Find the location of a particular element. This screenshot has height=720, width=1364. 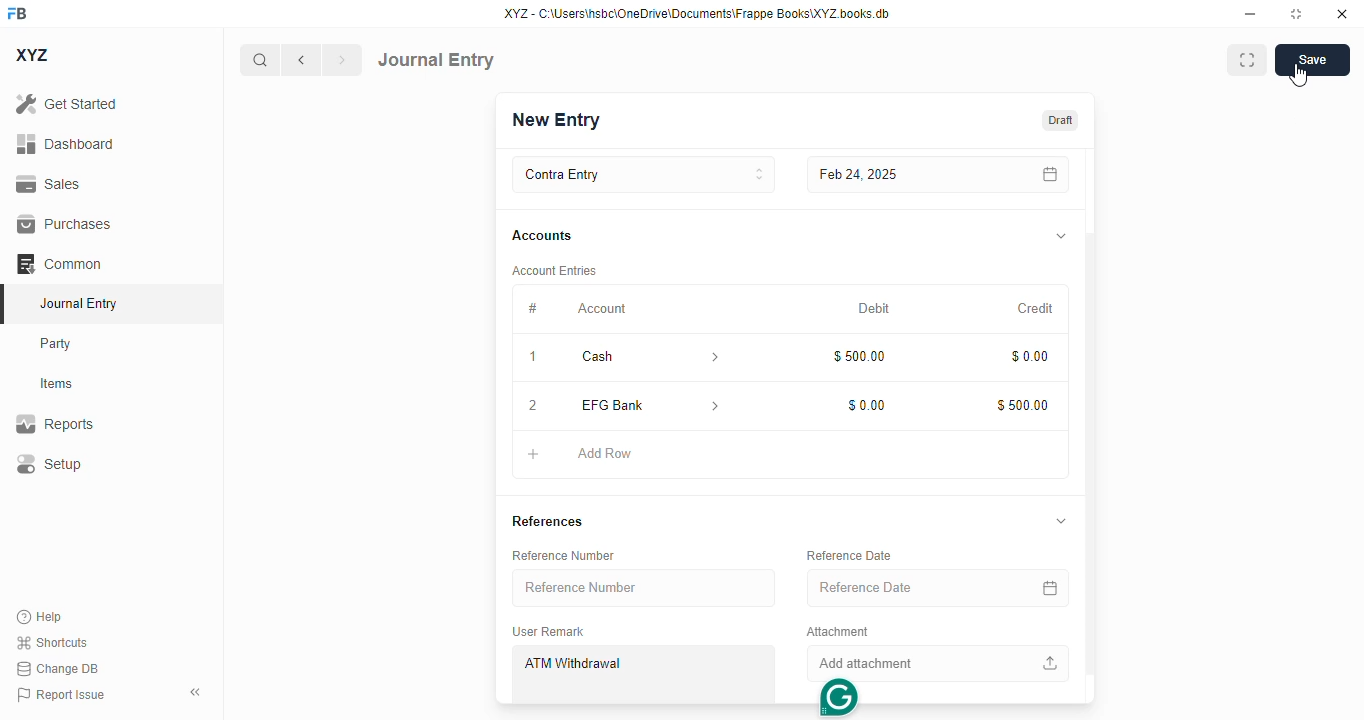

calendar icon is located at coordinates (1046, 175).